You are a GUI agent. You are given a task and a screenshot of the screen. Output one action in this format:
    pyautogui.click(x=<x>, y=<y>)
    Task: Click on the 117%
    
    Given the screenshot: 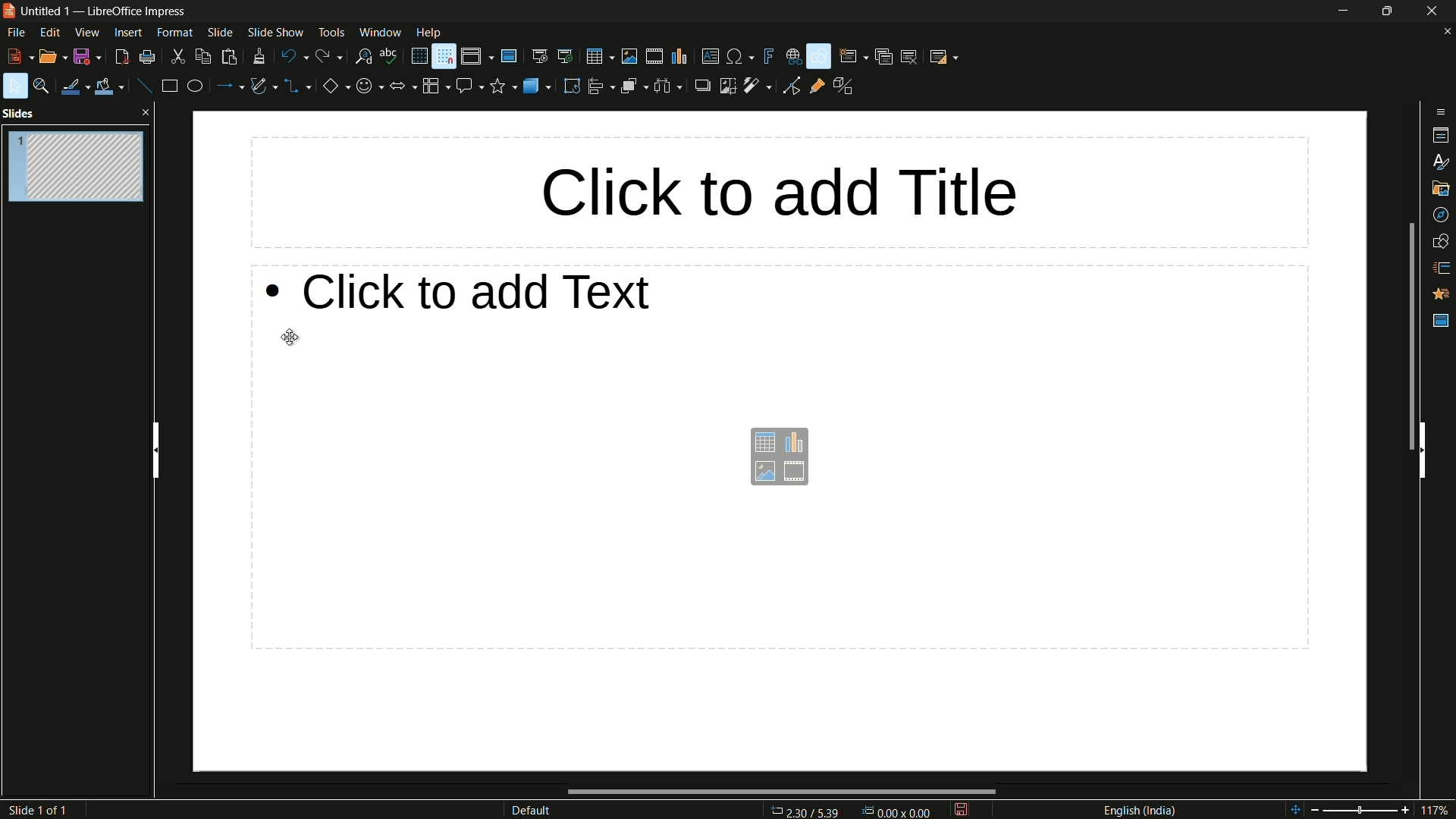 What is the action you would take?
    pyautogui.click(x=1437, y=810)
    